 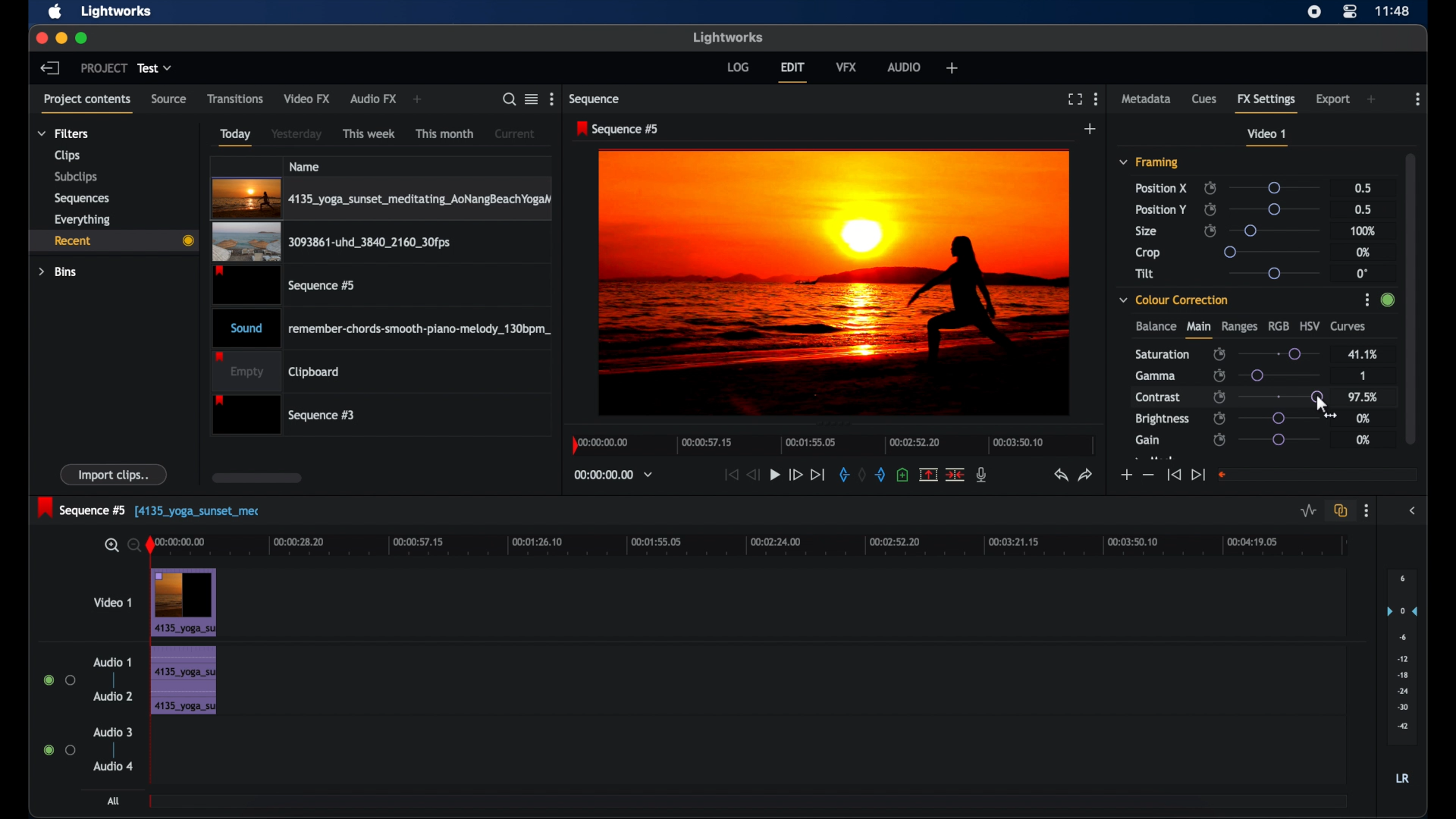 I want to click on text, so click(x=203, y=513).